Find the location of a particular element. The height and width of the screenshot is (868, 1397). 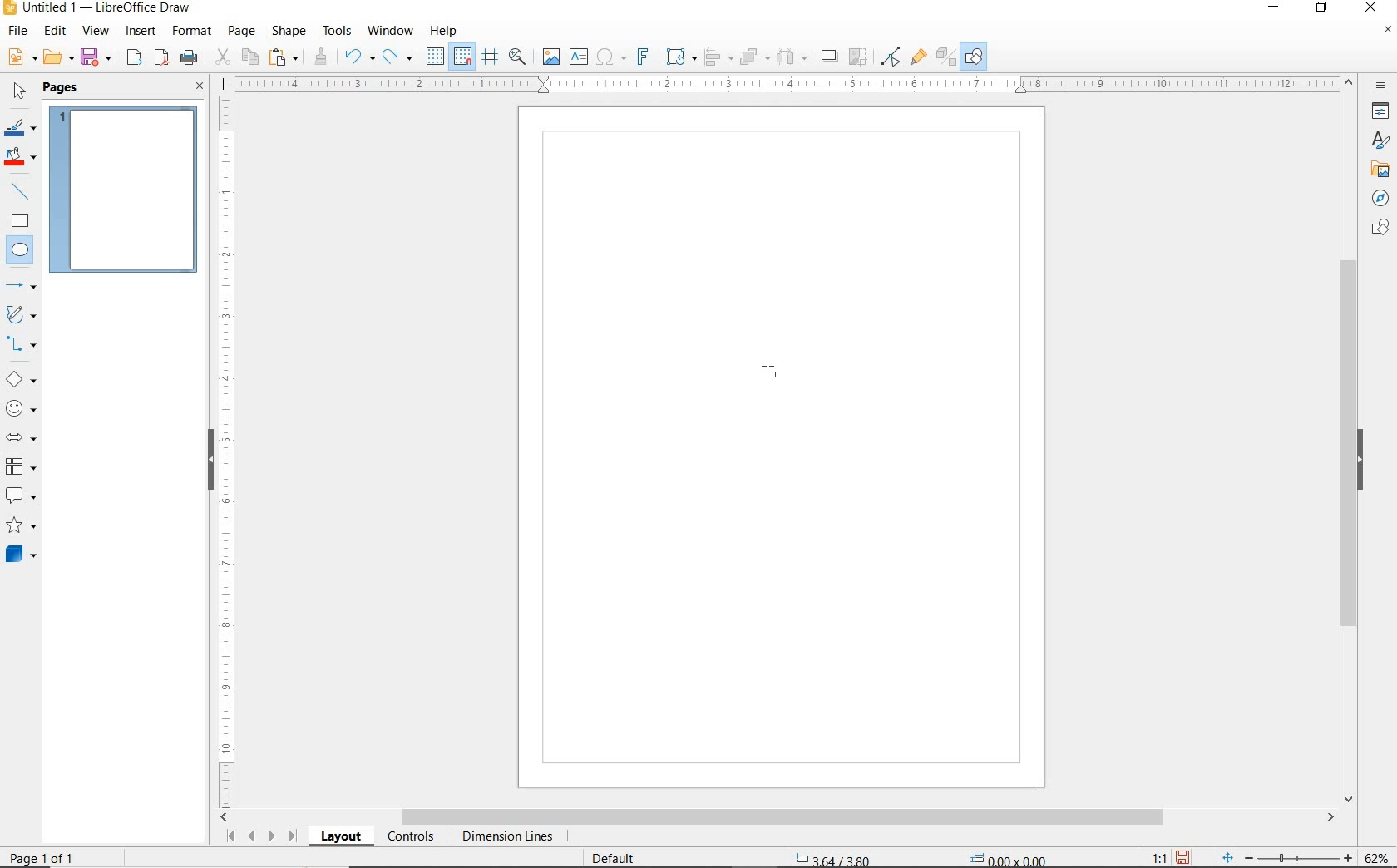

CLOSE is located at coordinates (200, 87).